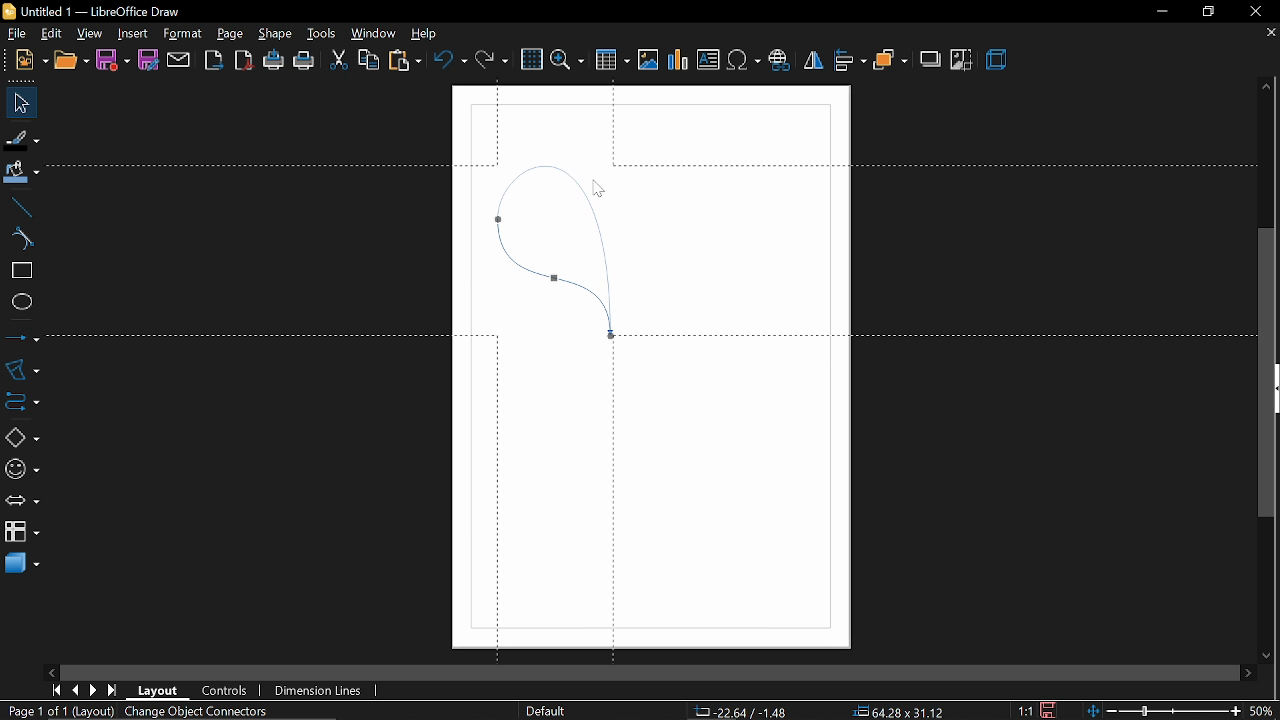 The image size is (1280, 720). Describe the element at coordinates (226, 692) in the screenshot. I see `controls` at that location.